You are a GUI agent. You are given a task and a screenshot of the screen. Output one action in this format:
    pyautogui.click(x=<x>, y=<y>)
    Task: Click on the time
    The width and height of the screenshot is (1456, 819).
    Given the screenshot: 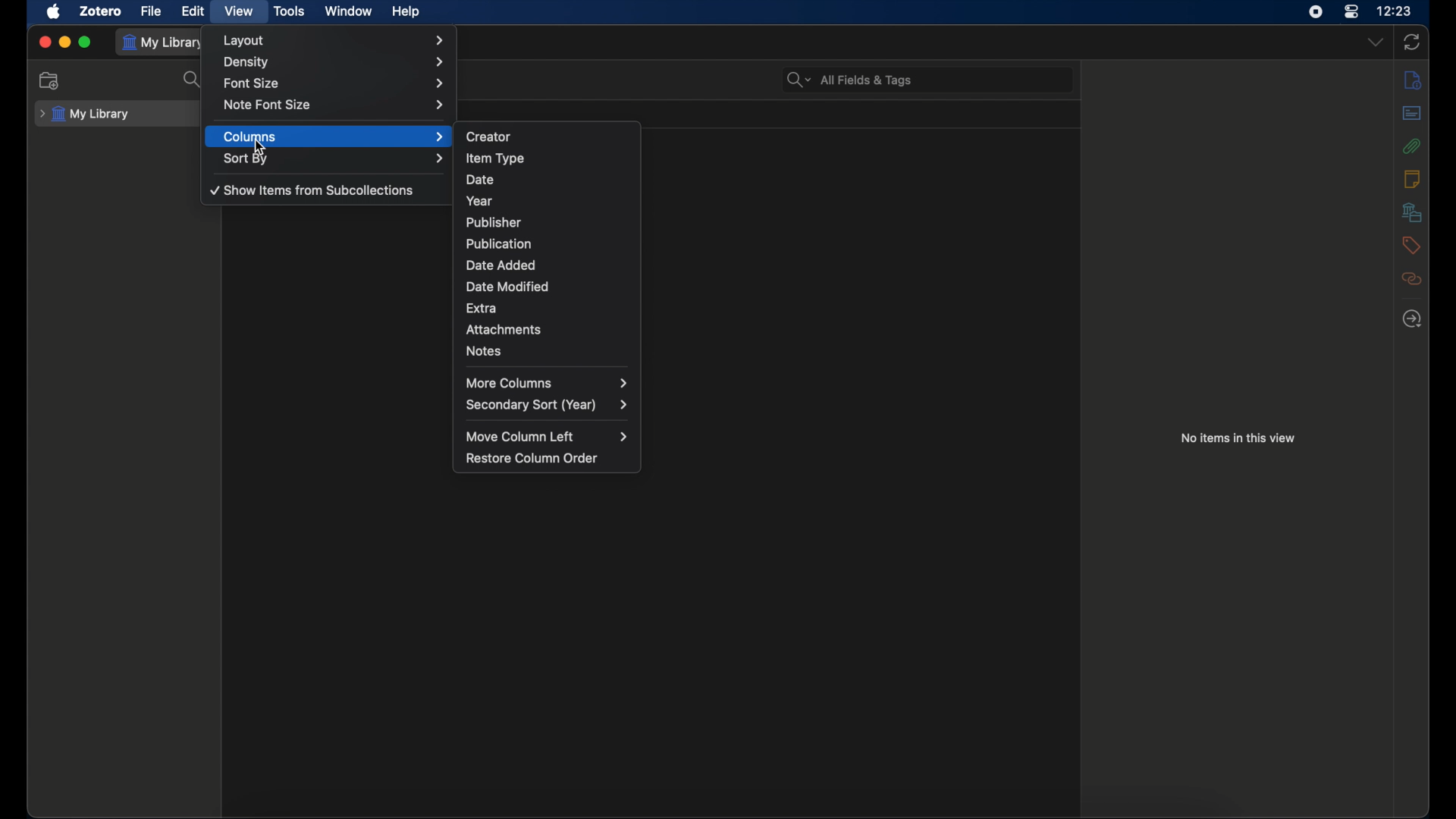 What is the action you would take?
    pyautogui.click(x=1395, y=10)
    